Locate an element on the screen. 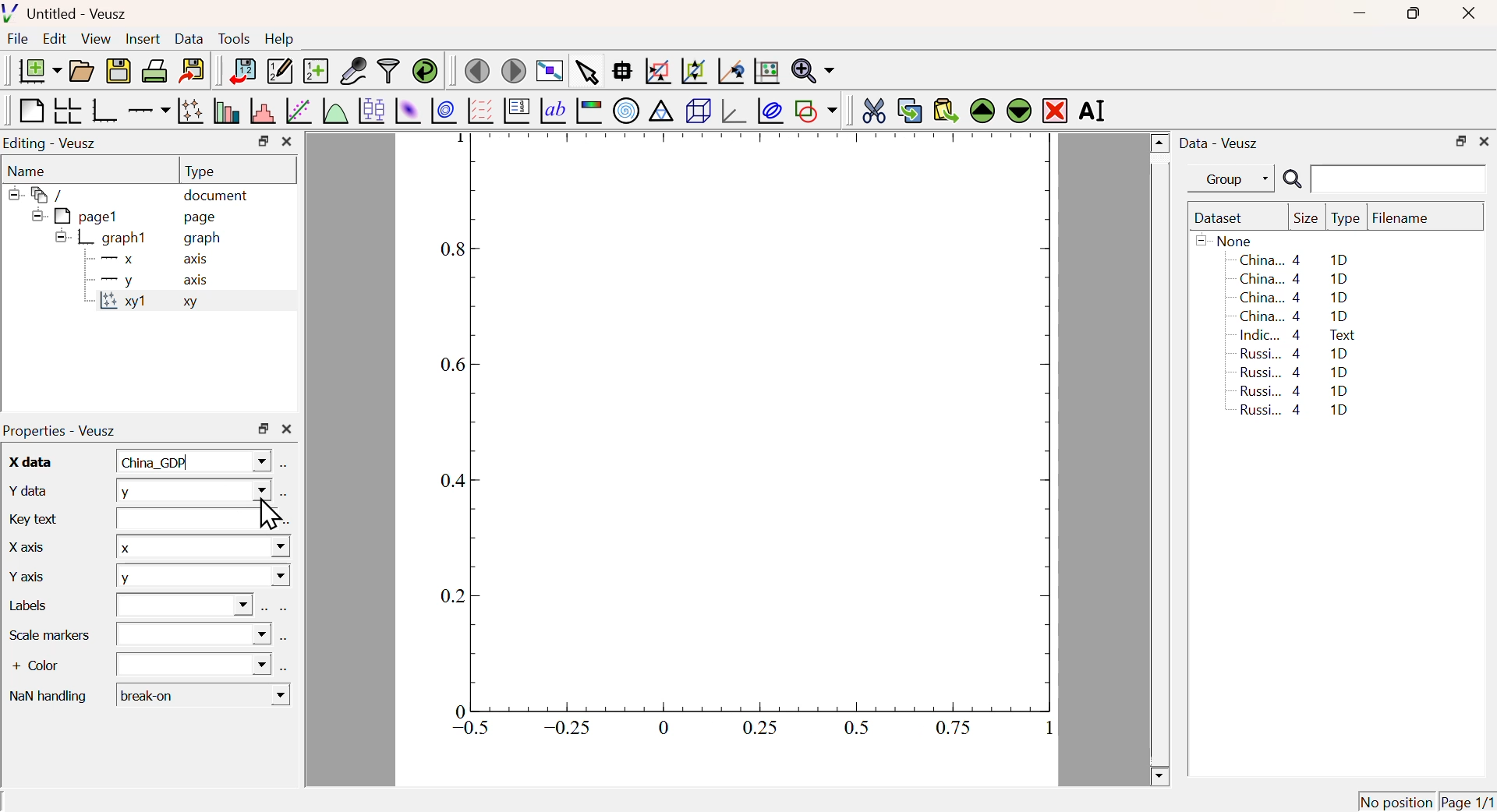 The height and width of the screenshot is (812, 1497). Labels is located at coordinates (39, 607).